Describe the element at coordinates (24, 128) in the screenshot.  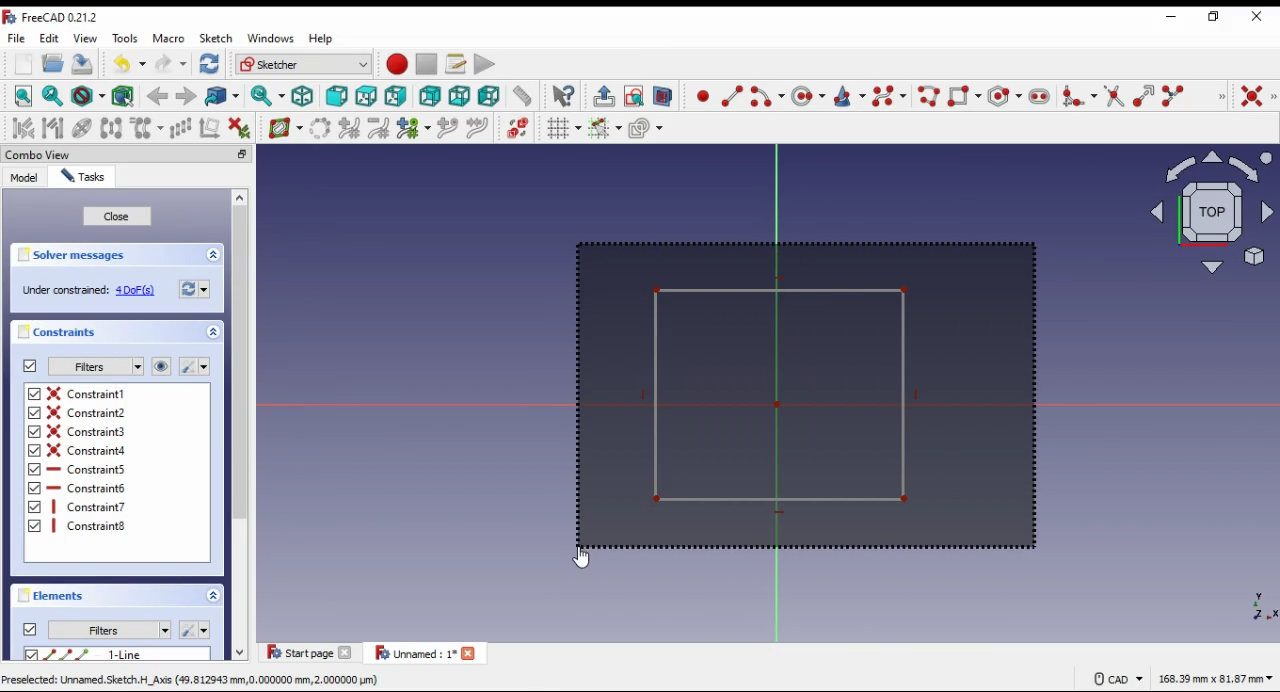
I see `select associated constraints` at that location.